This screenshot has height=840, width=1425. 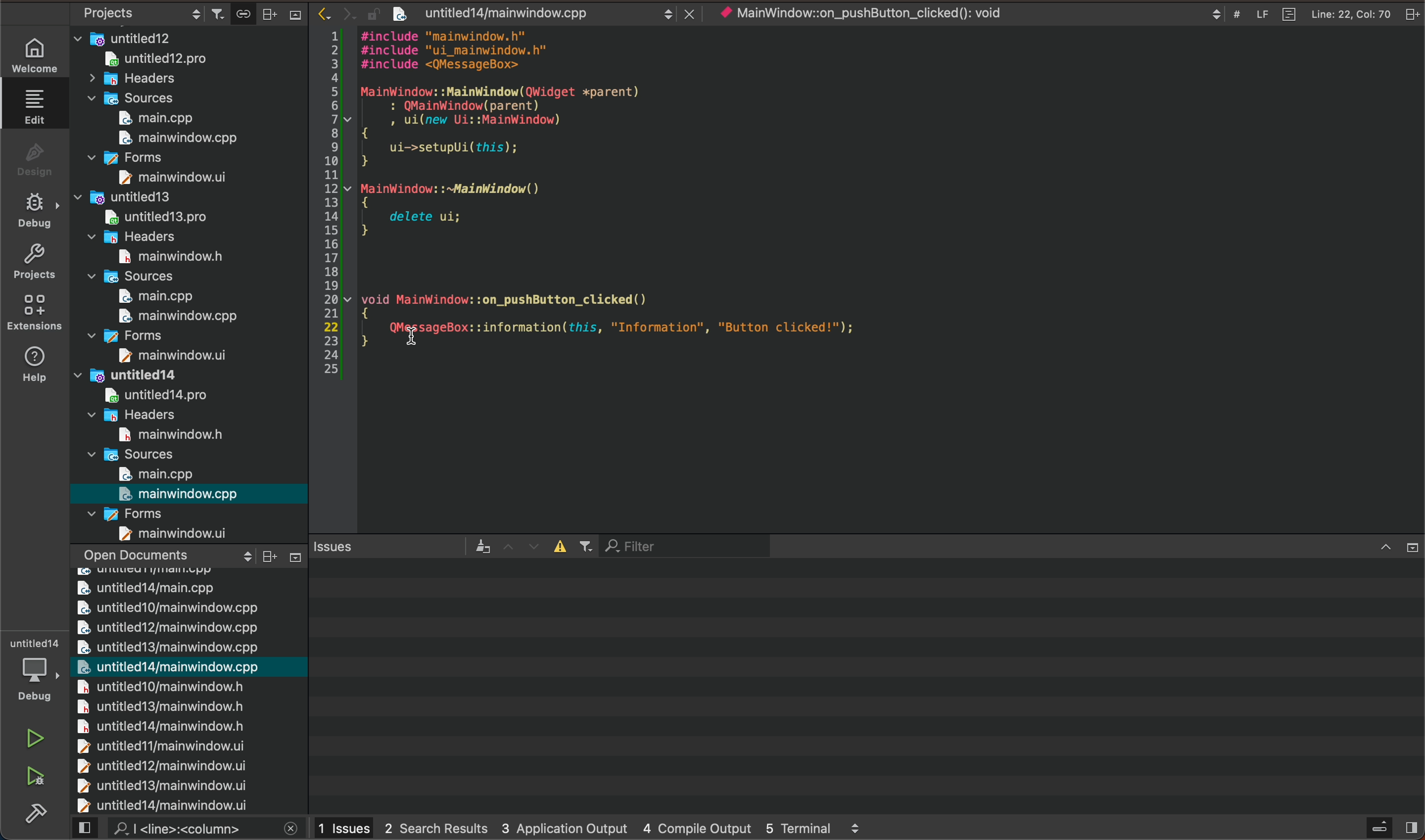 What do you see at coordinates (546, 13) in the screenshot?
I see `file after save` at bounding box center [546, 13].